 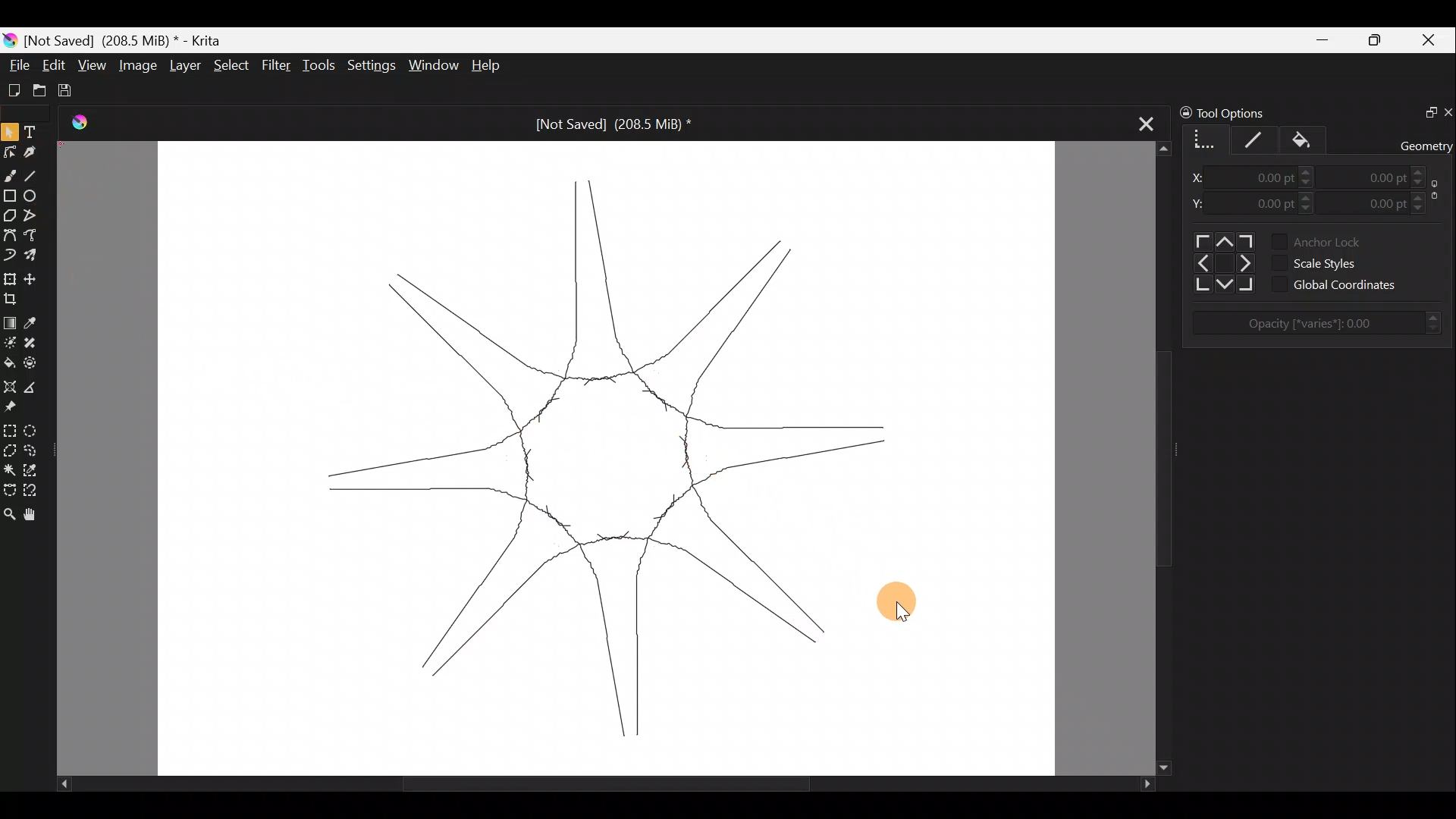 I want to click on Dynamic brush tool, so click(x=9, y=255).